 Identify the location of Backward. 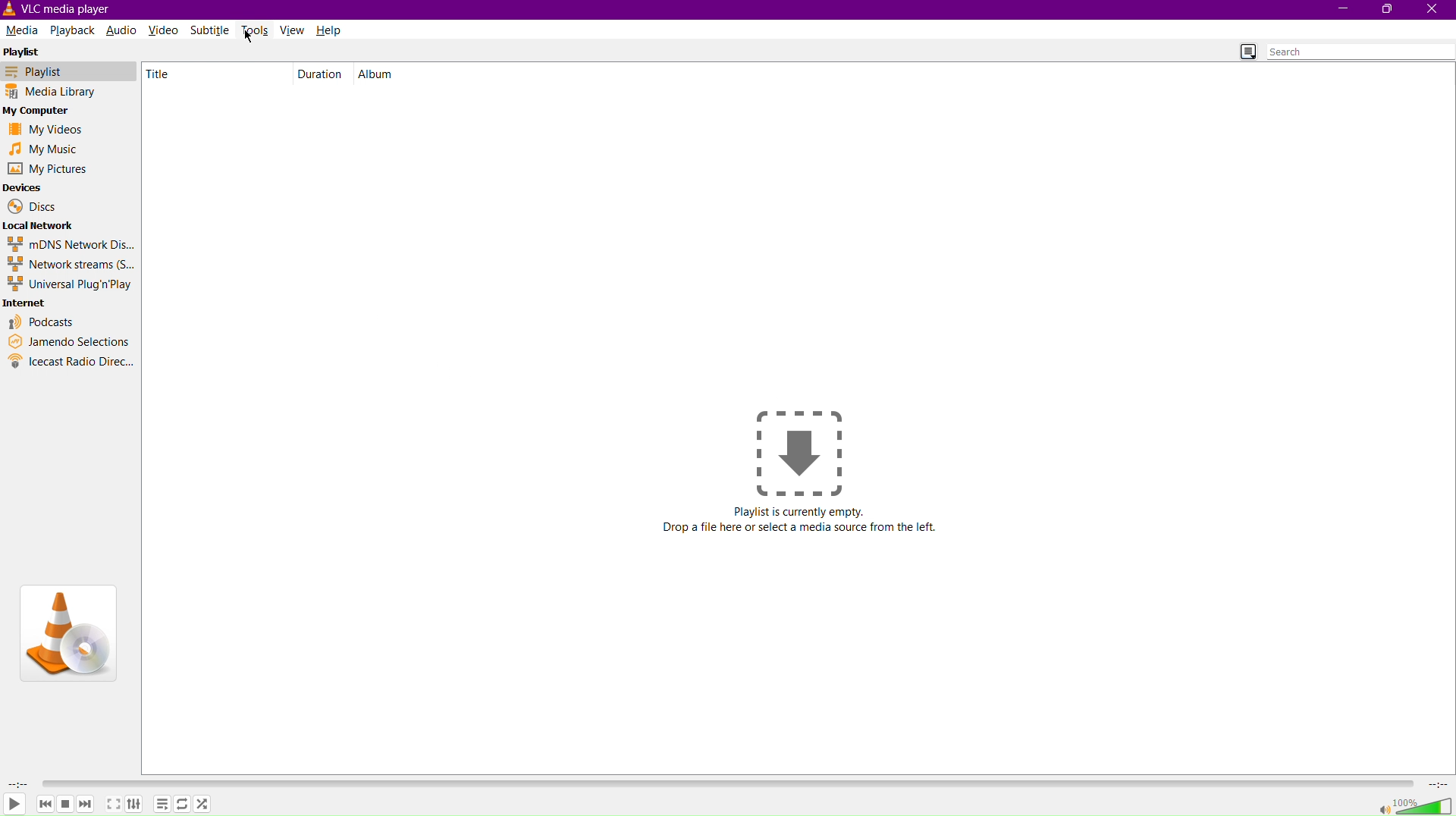
(44, 802).